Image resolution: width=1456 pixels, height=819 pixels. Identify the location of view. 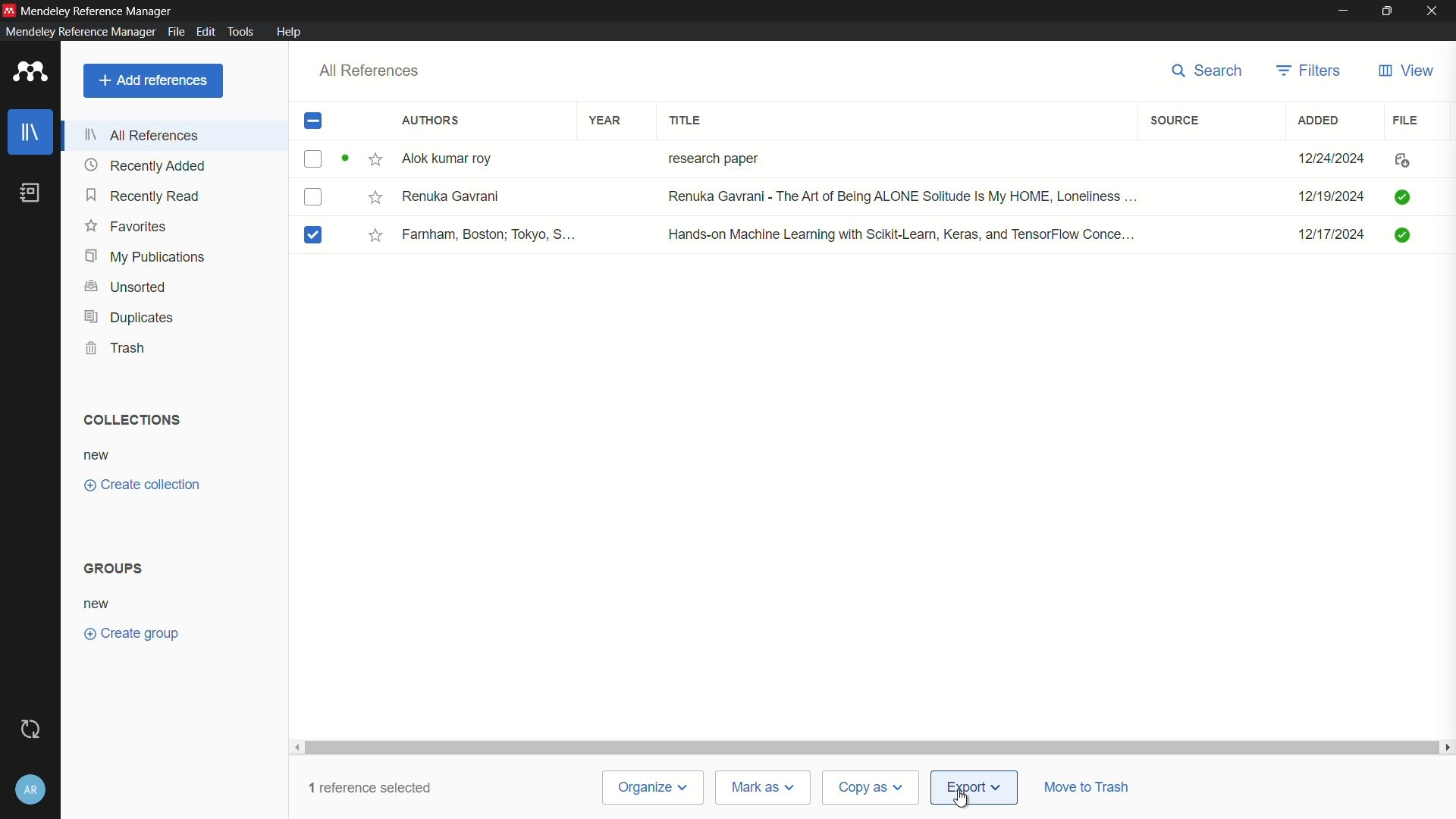
(1406, 71).